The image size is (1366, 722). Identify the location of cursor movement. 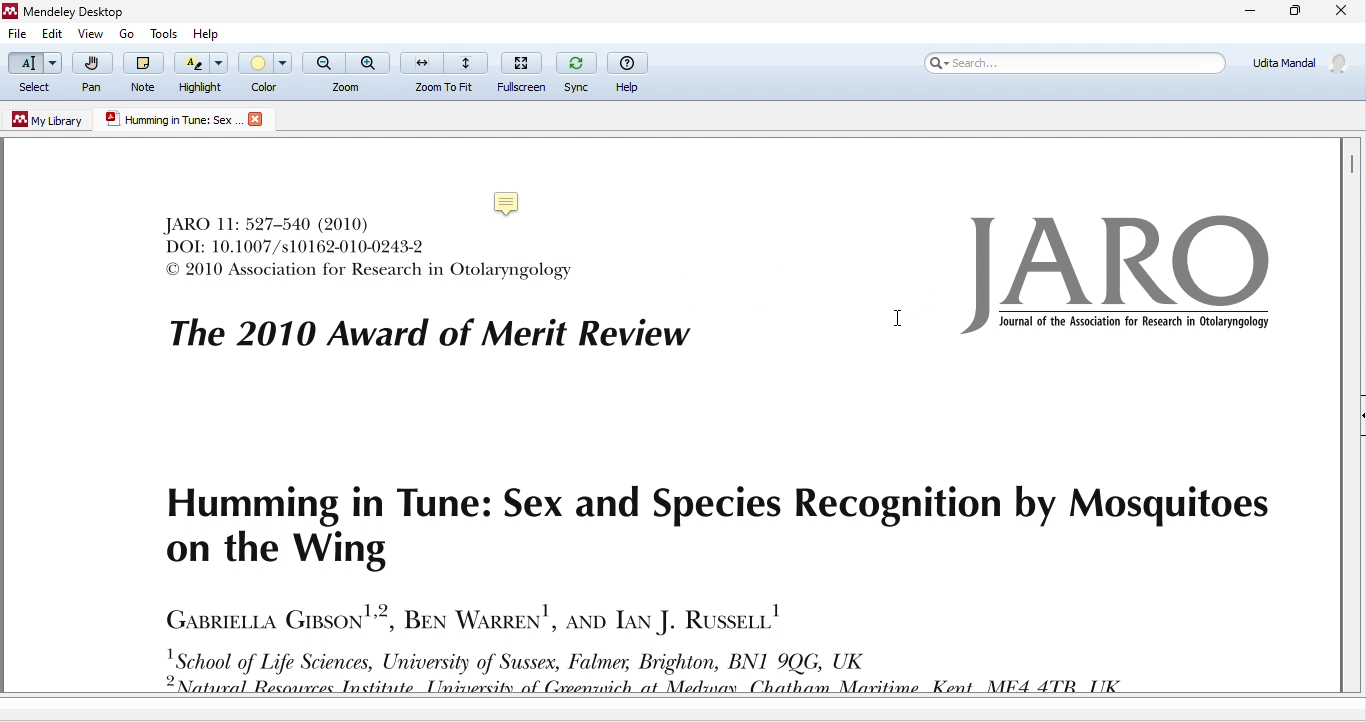
(899, 319).